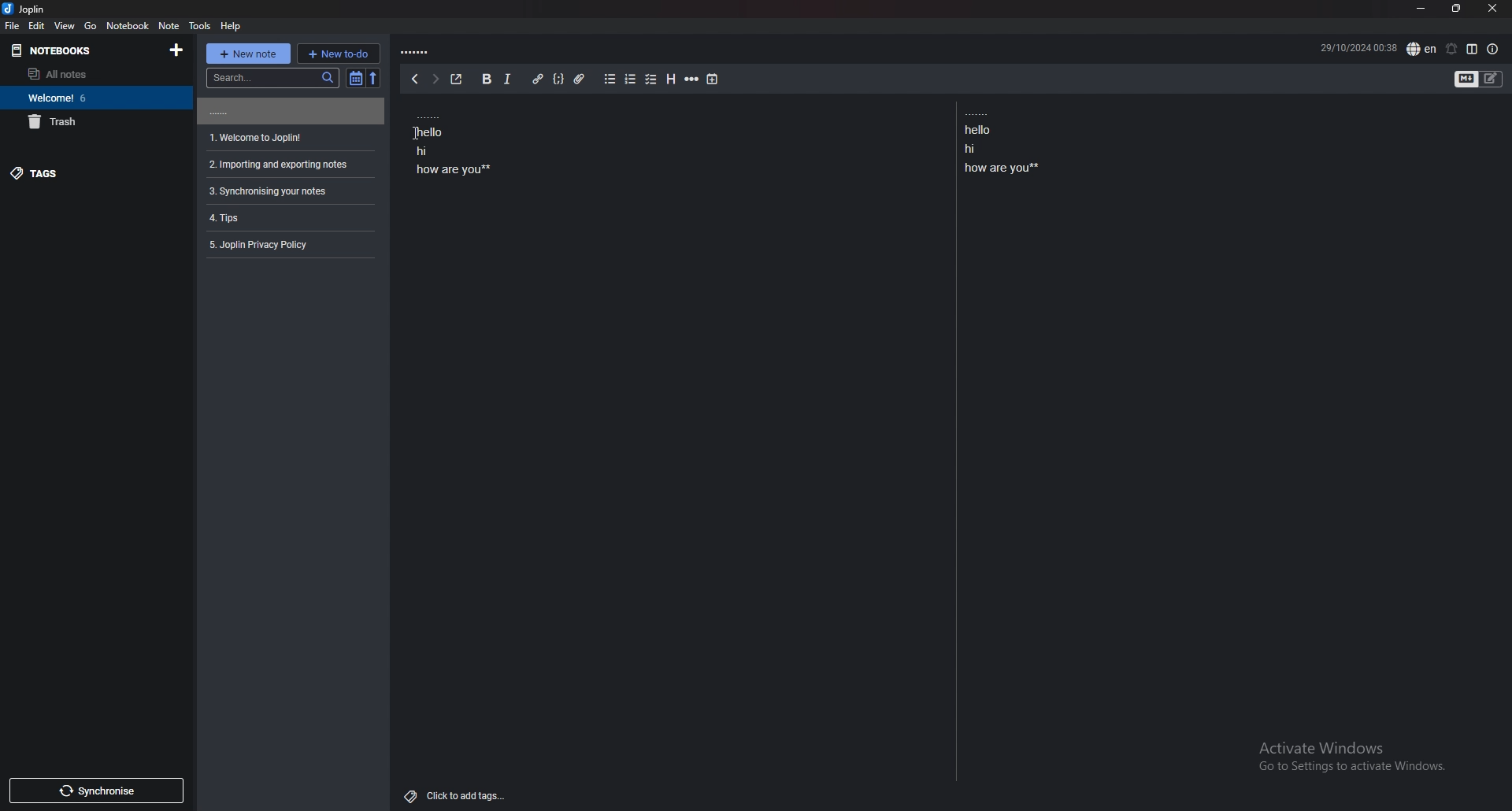 The height and width of the screenshot is (811, 1512). Describe the element at coordinates (458, 80) in the screenshot. I see `toggle external editing` at that location.